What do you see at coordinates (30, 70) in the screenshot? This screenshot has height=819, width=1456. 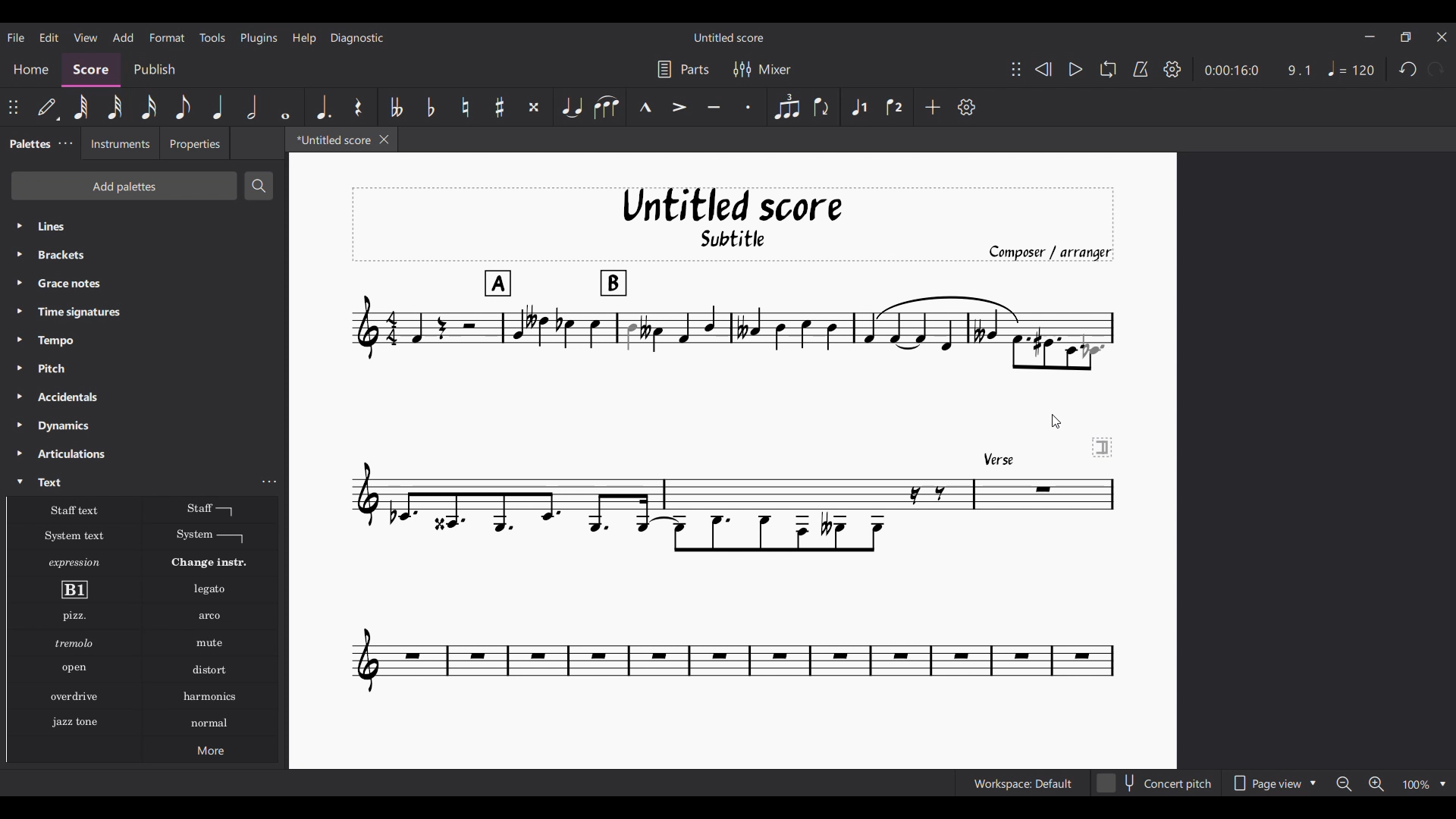 I see `Home section` at bounding box center [30, 70].